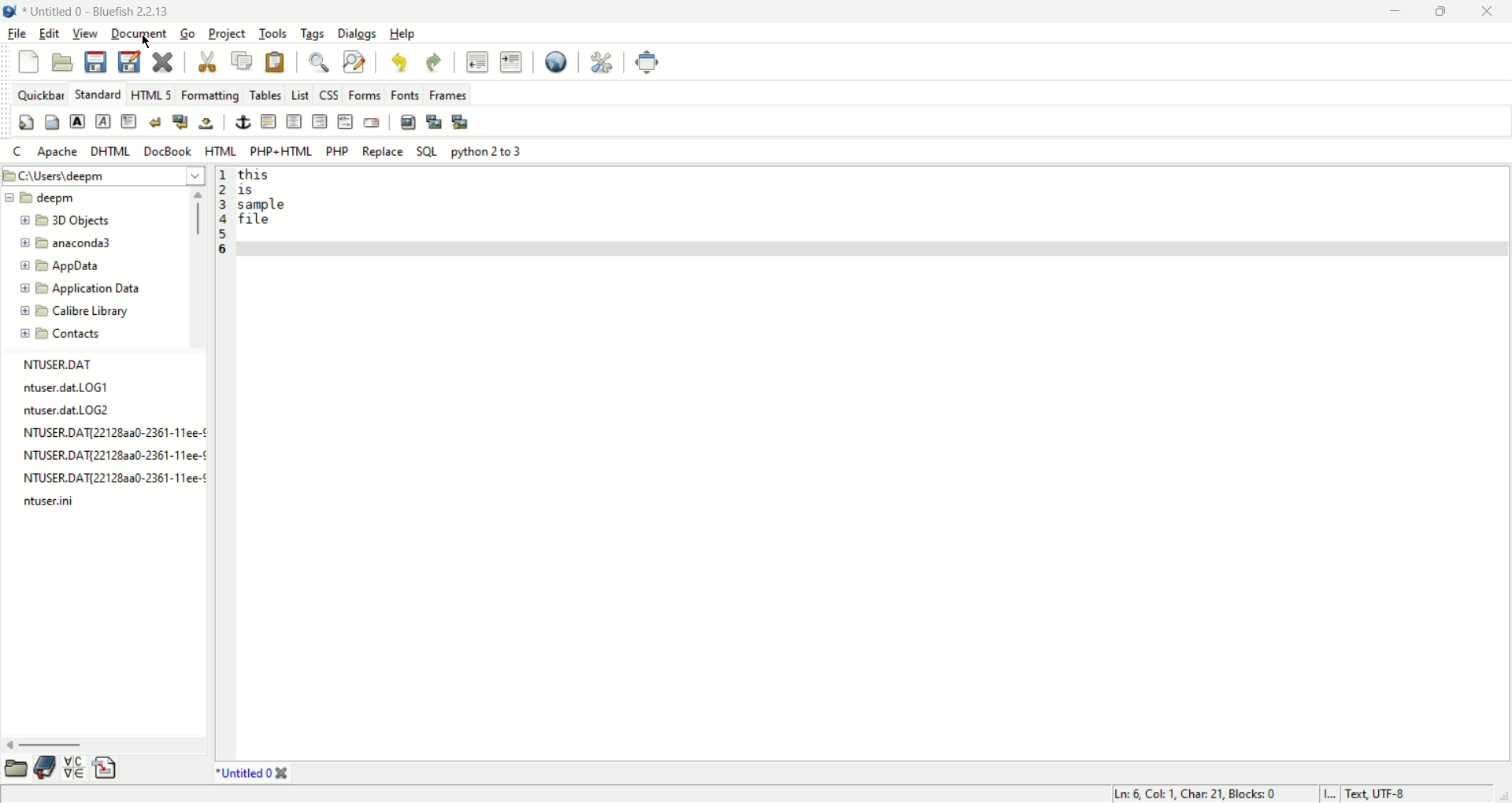 This screenshot has width=1512, height=803. I want to click on title, so click(248, 772).